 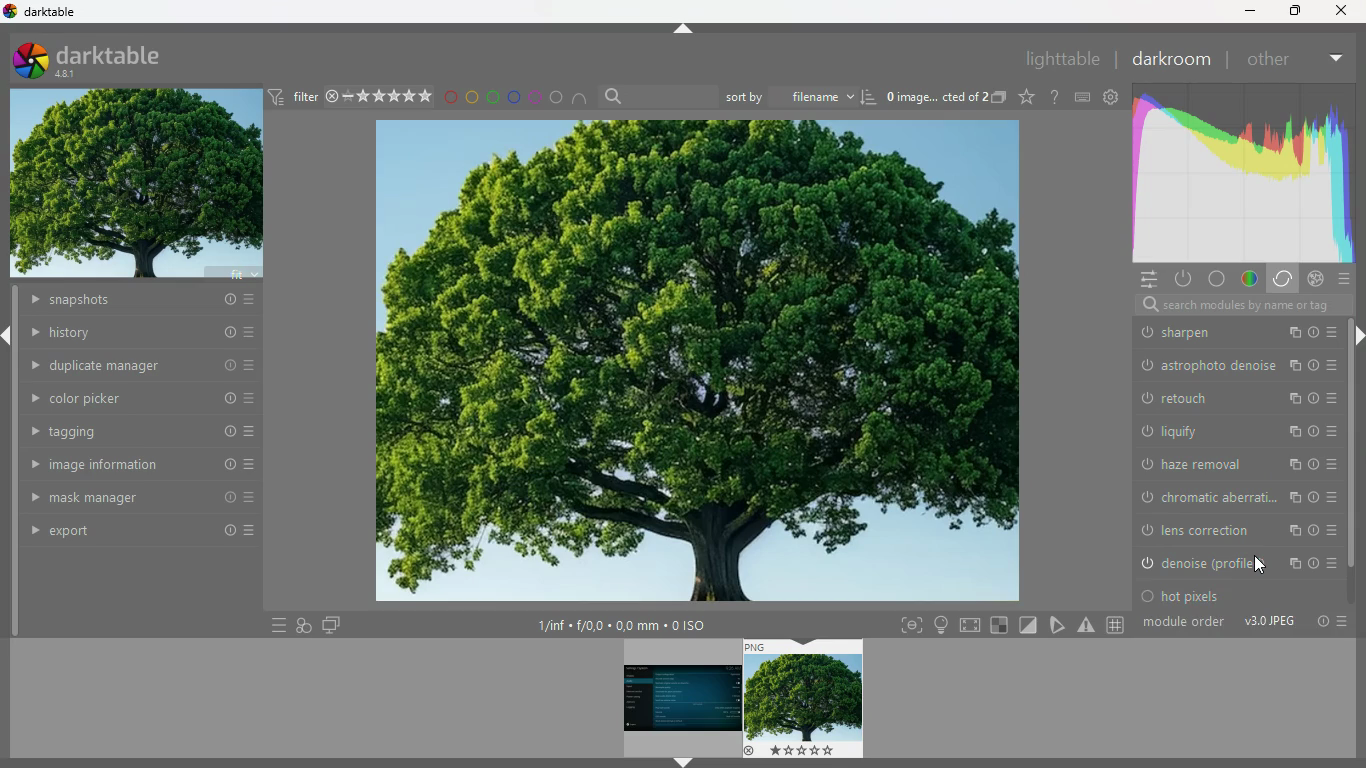 What do you see at coordinates (1332, 528) in the screenshot?
I see `change` at bounding box center [1332, 528].